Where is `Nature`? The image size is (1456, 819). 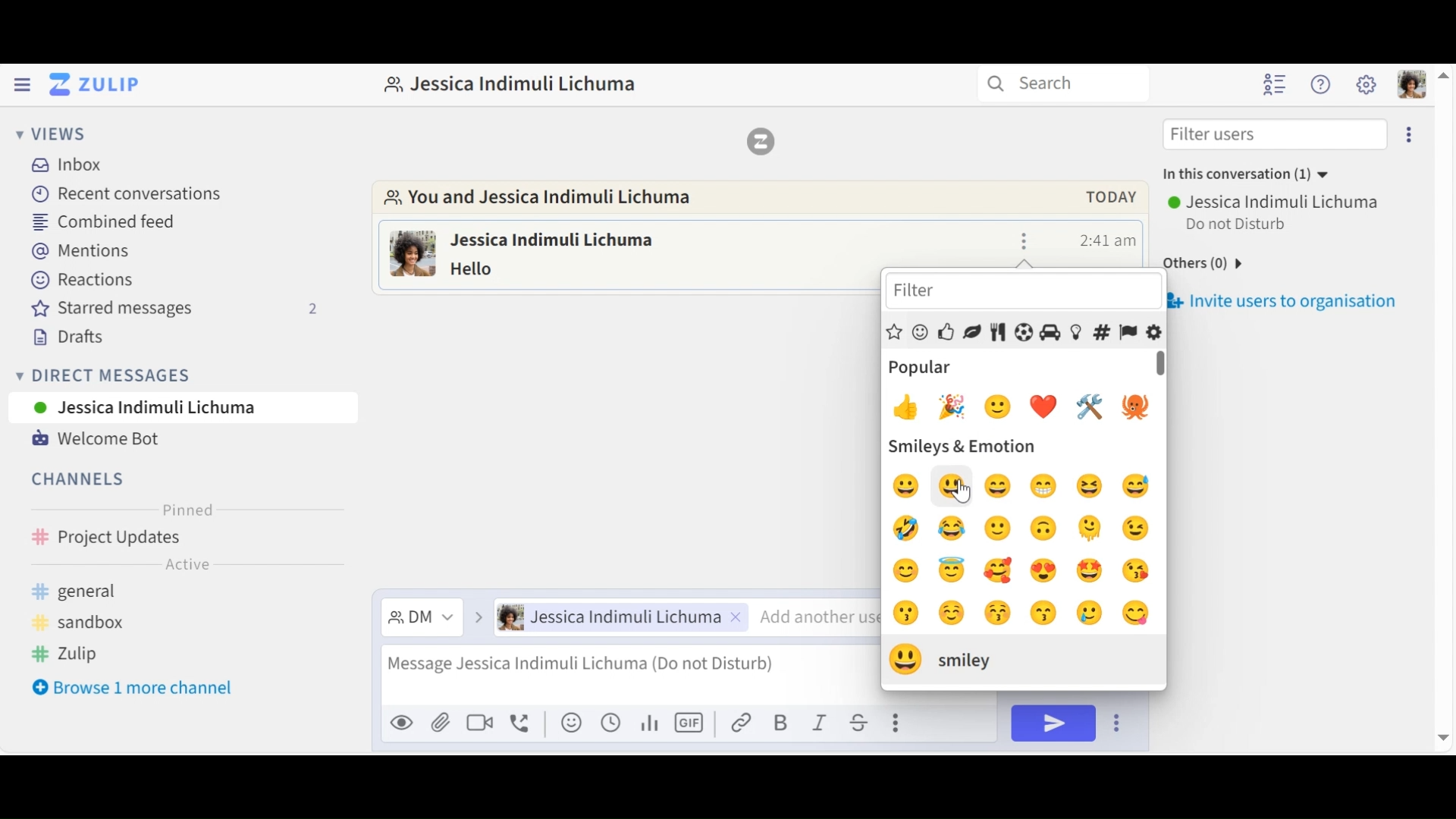
Nature is located at coordinates (971, 332).